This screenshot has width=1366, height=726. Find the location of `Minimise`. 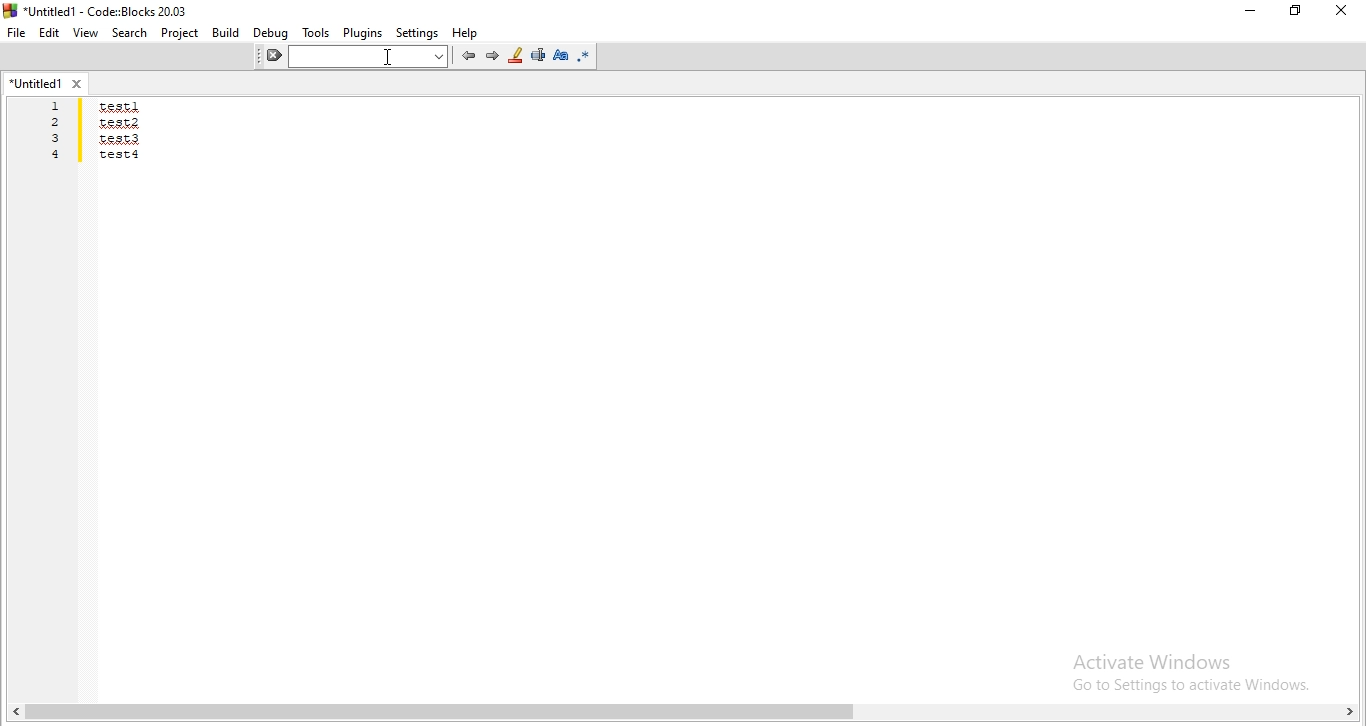

Minimise is located at coordinates (1246, 14).